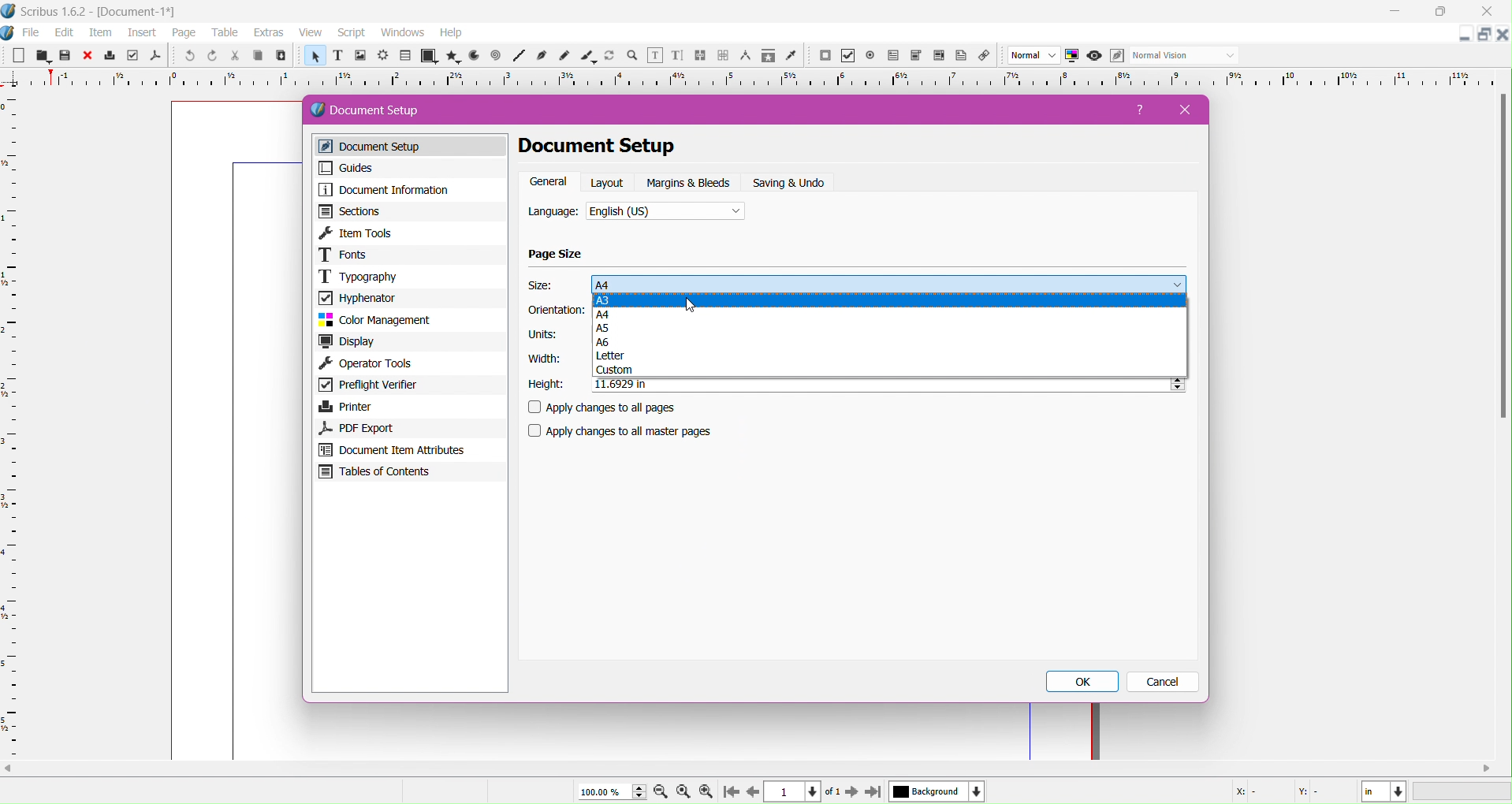  I want to click on color management system, so click(1072, 56).